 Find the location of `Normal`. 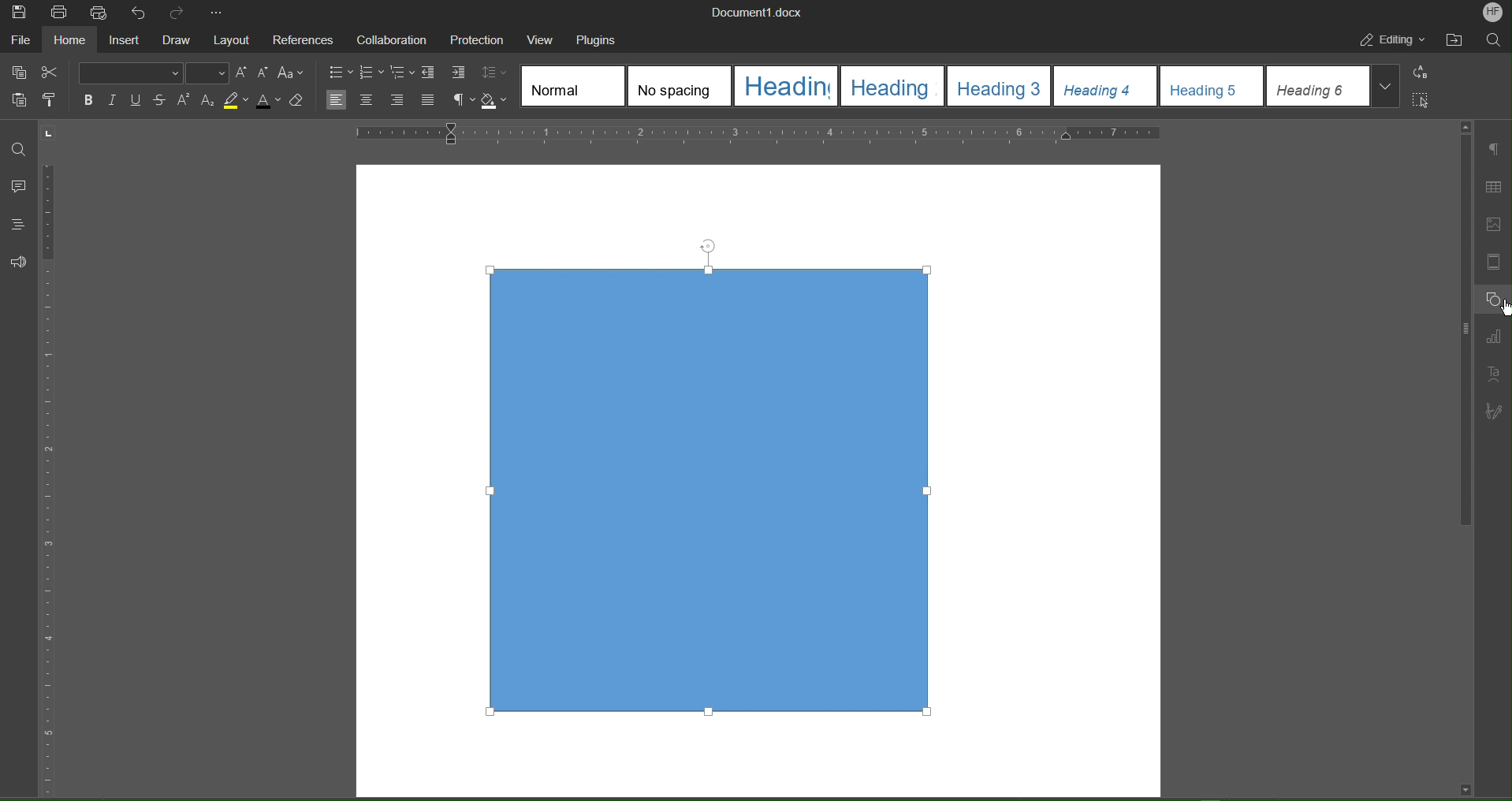

Normal is located at coordinates (572, 84).